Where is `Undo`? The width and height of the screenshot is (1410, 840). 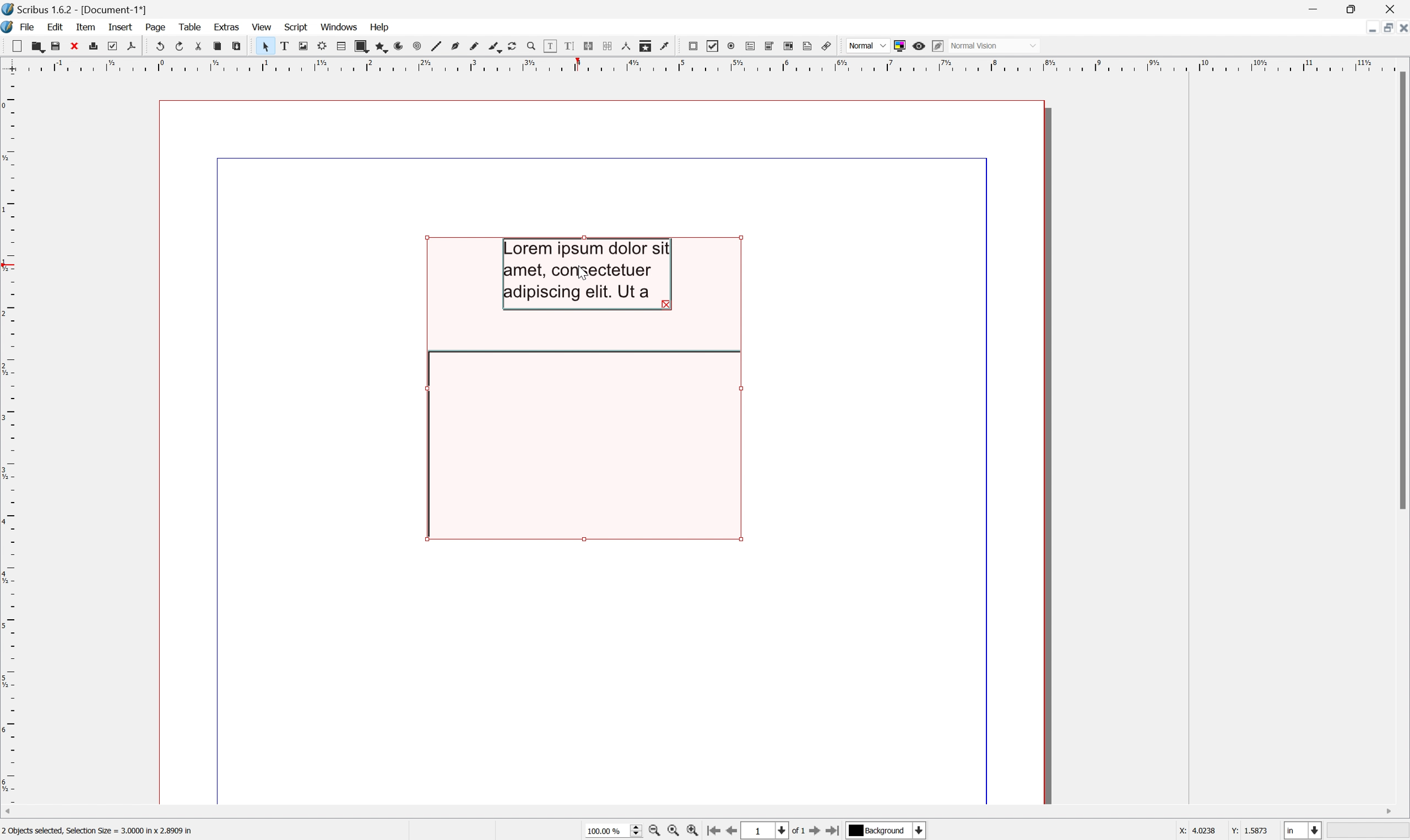
Undo is located at coordinates (156, 46).